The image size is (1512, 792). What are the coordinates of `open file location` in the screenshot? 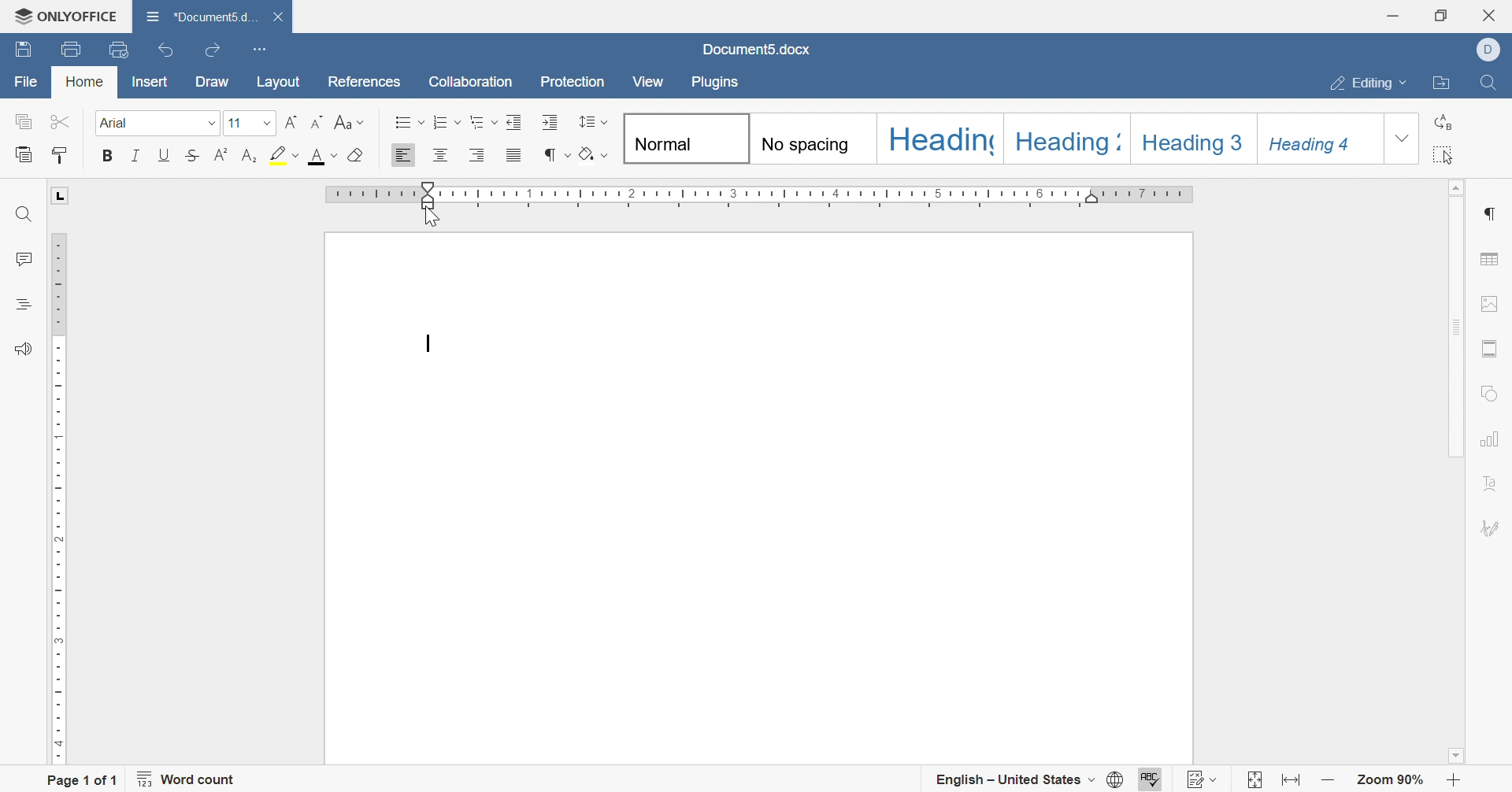 It's located at (1444, 83).